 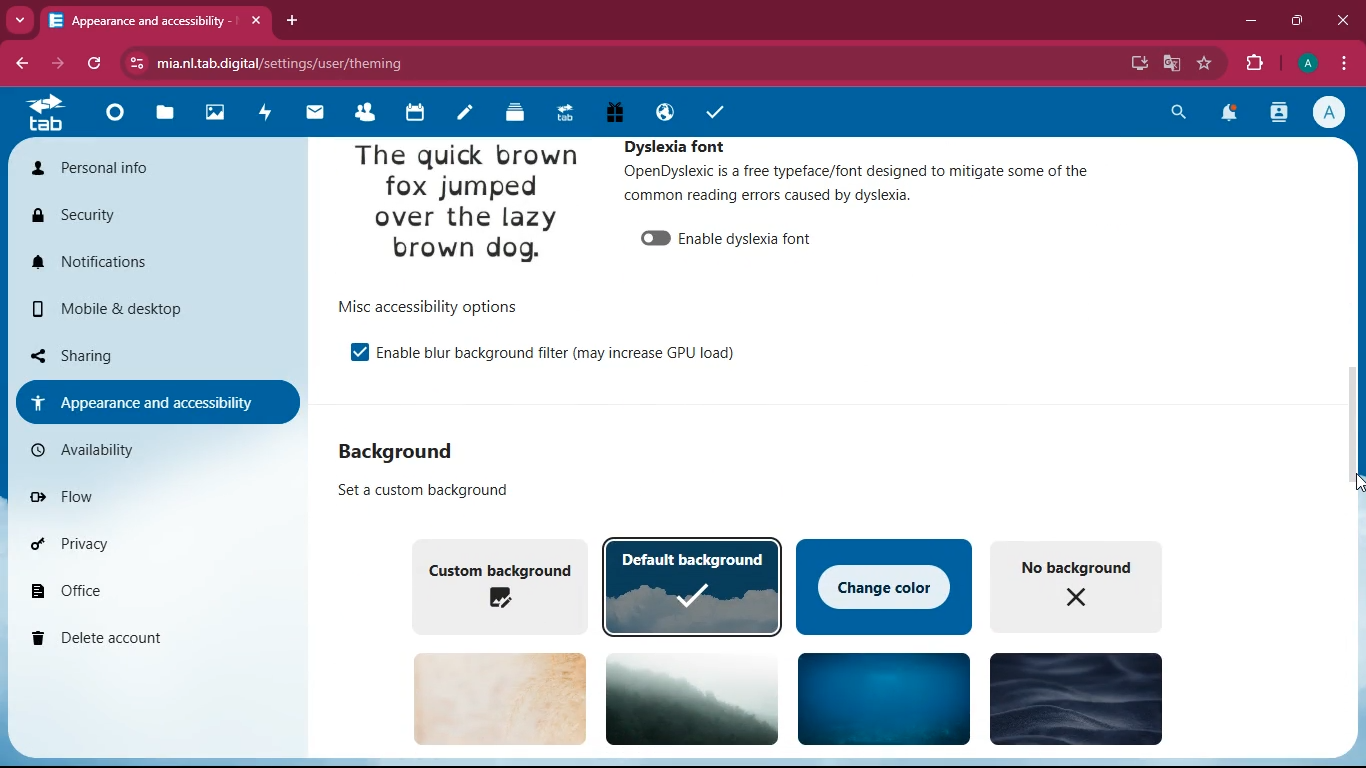 I want to click on back, so click(x=24, y=64).